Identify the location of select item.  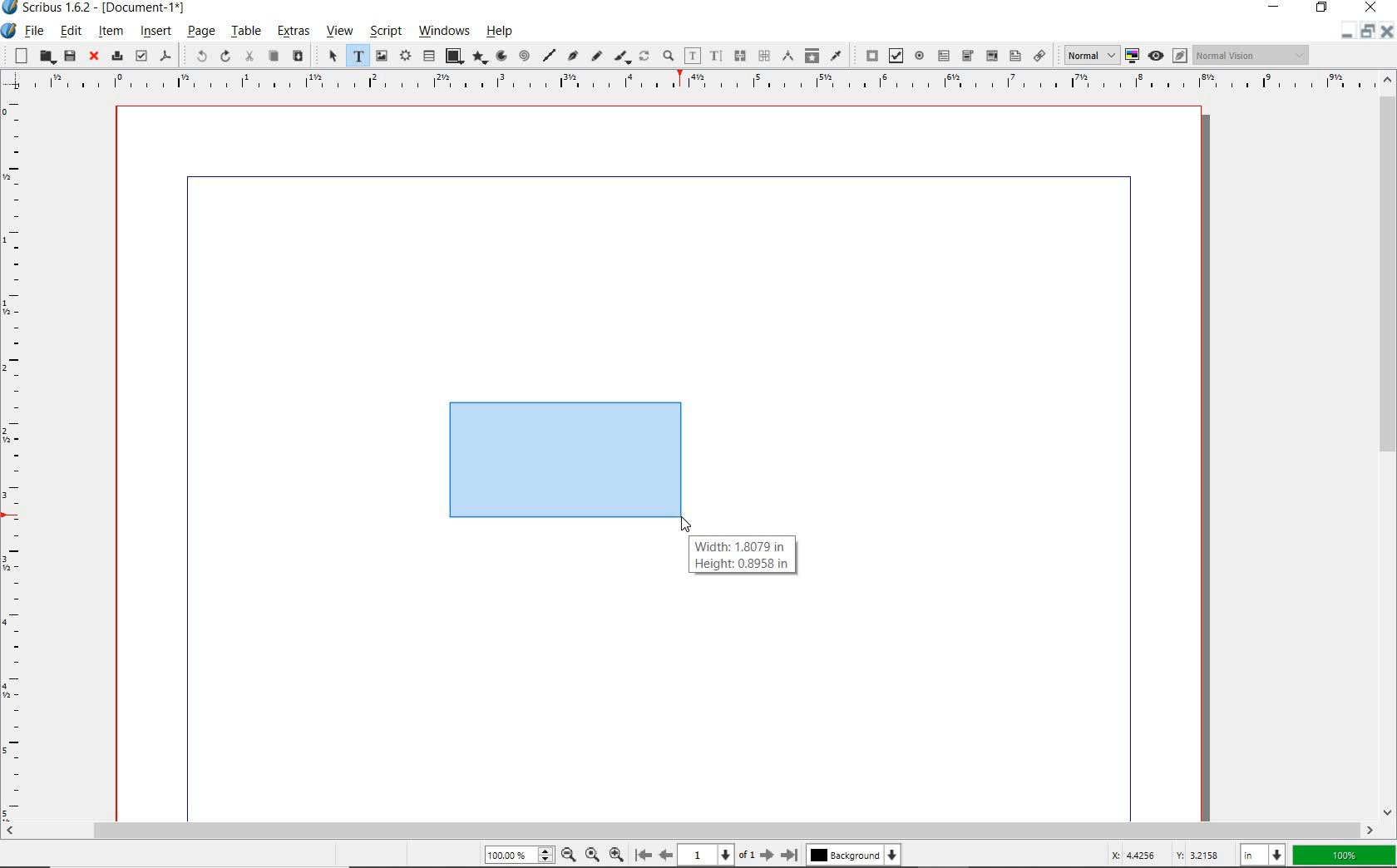
(332, 56).